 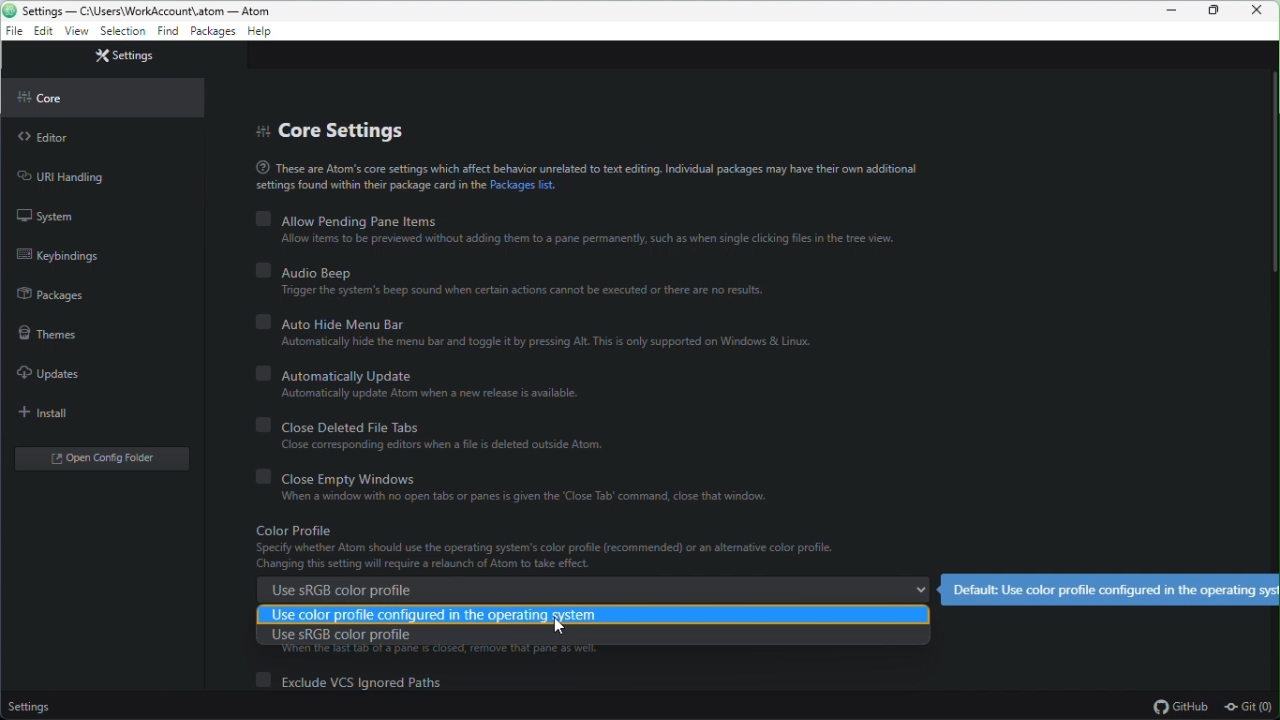 I want to click on Core setting, so click(x=348, y=129).